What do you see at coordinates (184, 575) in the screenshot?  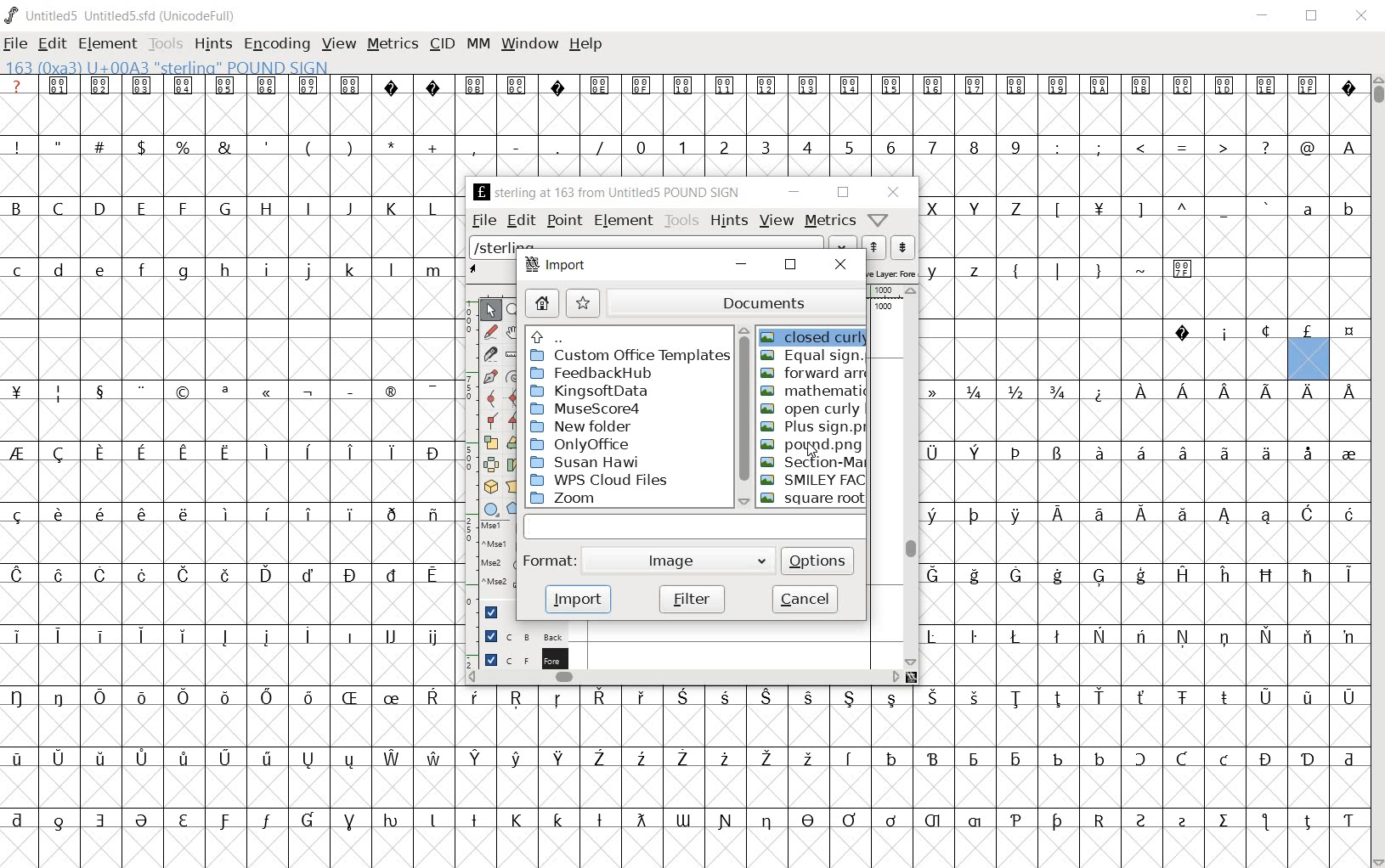 I see `Symbol` at bounding box center [184, 575].